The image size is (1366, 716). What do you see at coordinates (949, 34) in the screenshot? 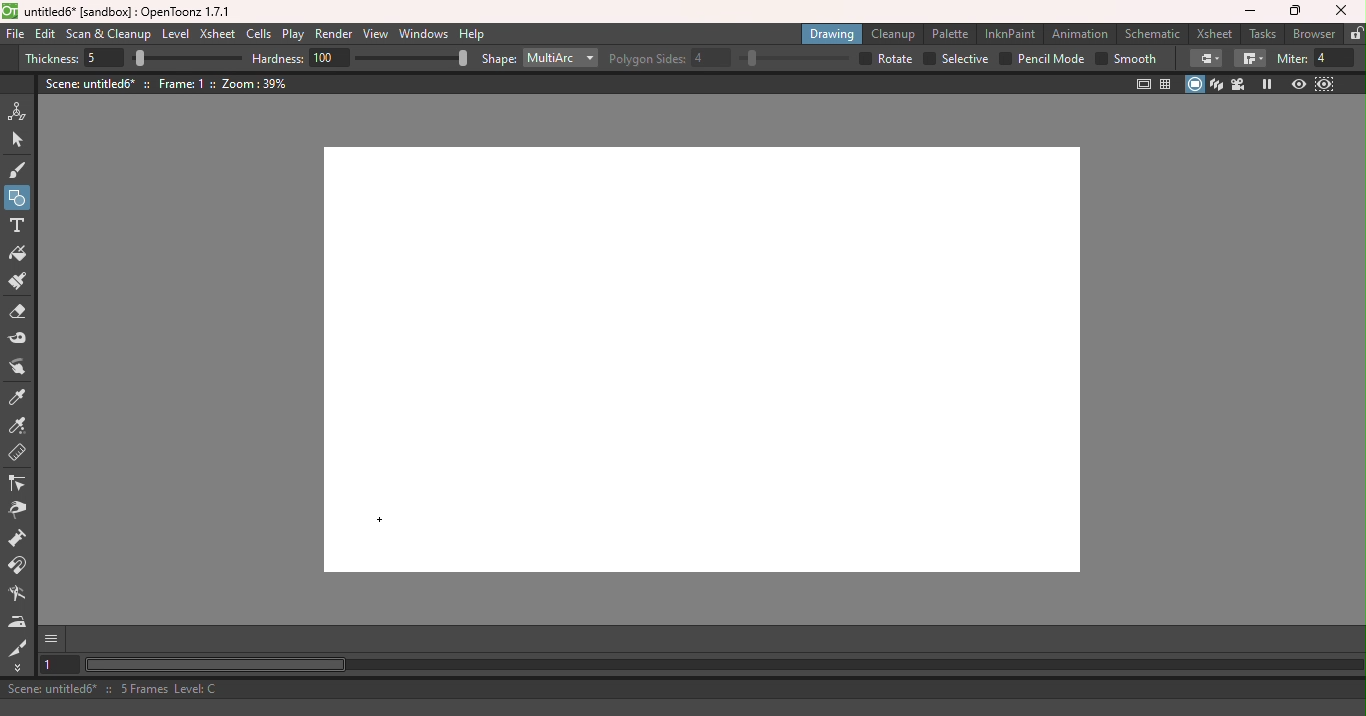
I see `Palette` at bounding box center [949, 34].